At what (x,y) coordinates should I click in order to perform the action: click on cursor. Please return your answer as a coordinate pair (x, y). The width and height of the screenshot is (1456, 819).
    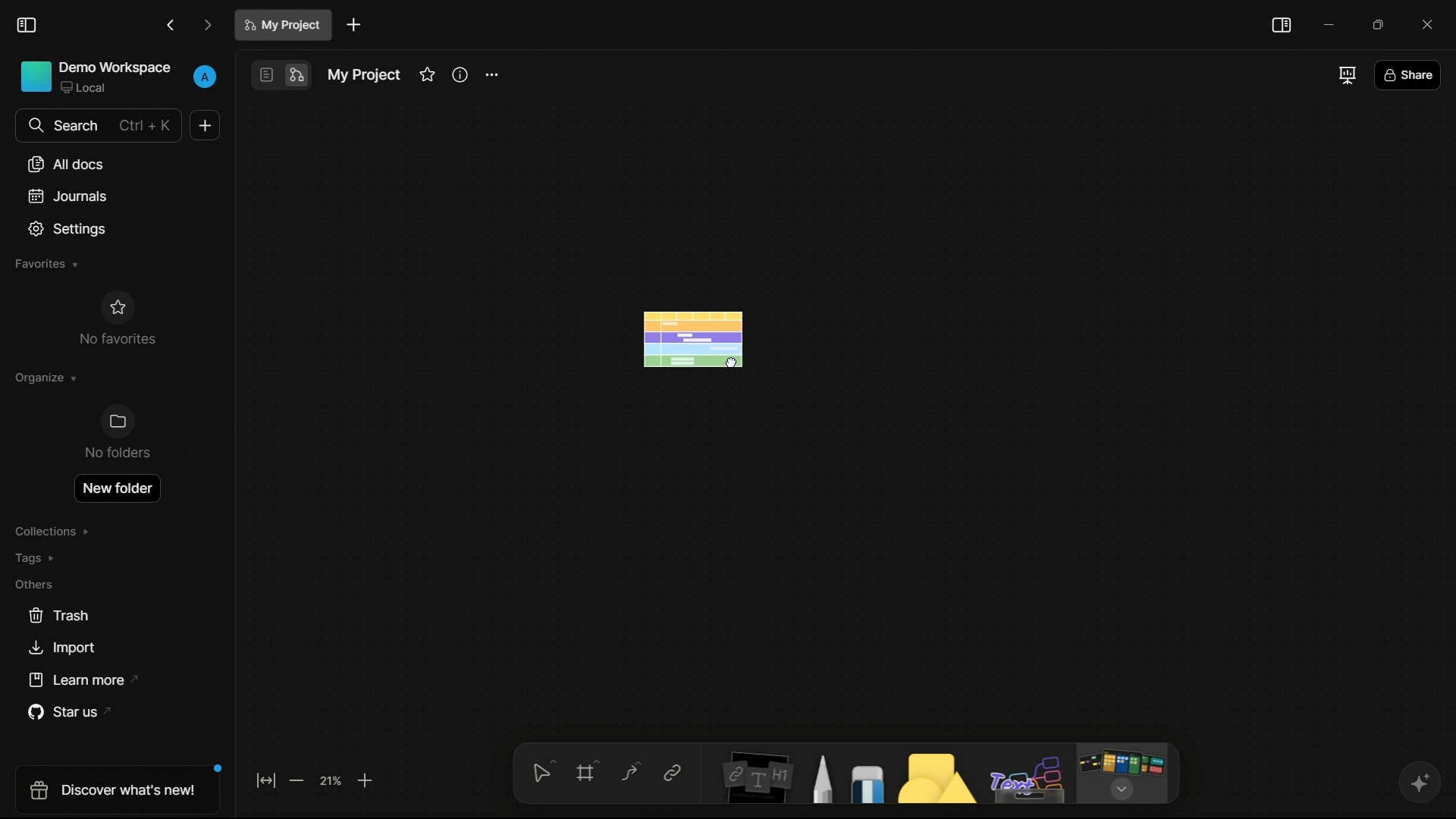
    Looking at the image, I should click on (733, 361).